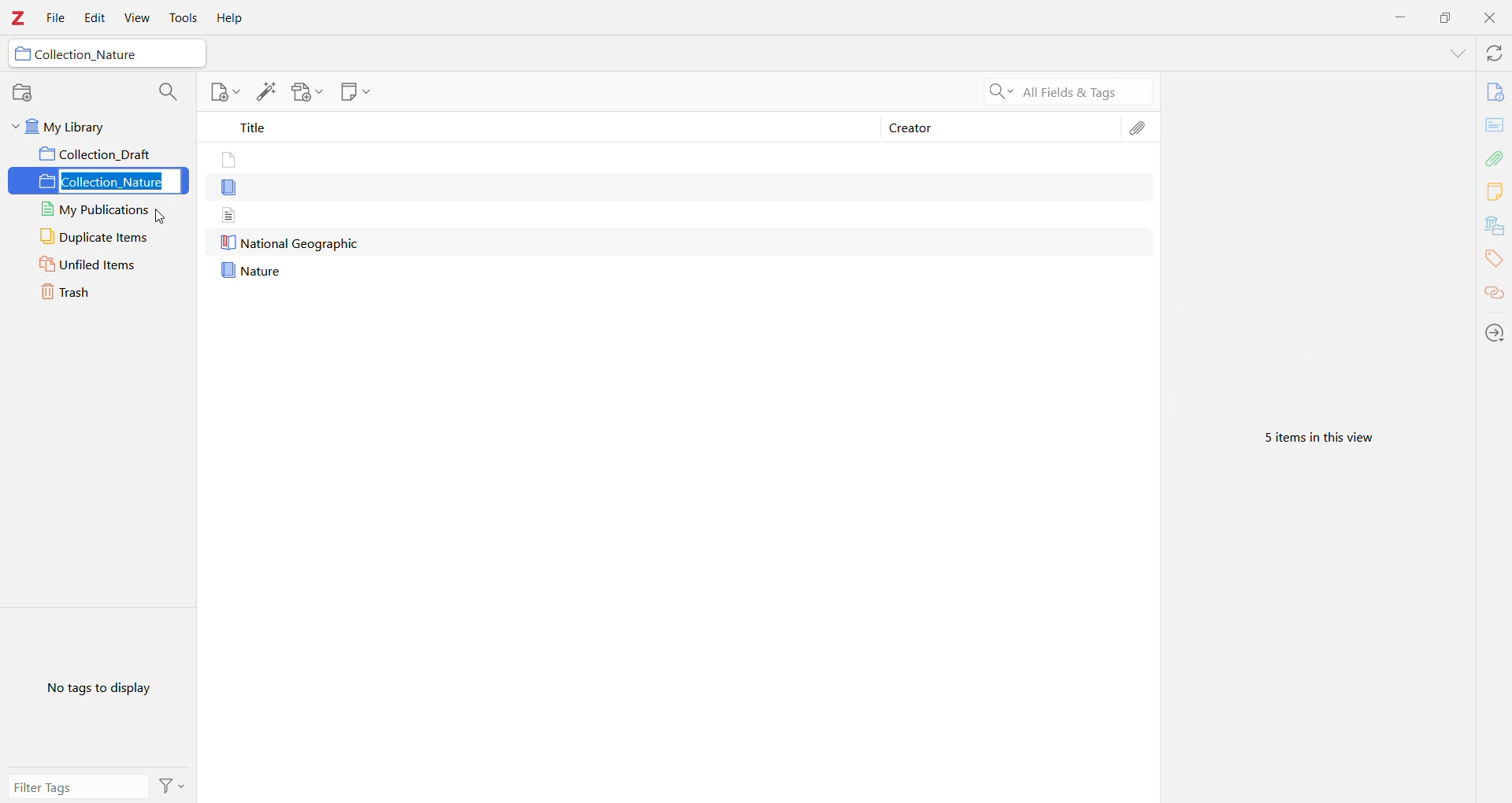 This screenshot has width=1512, height=803. What do you see at coordinates (1495, 91) in the screenshot?
I see `Info` at bounding box center [1495, 91].